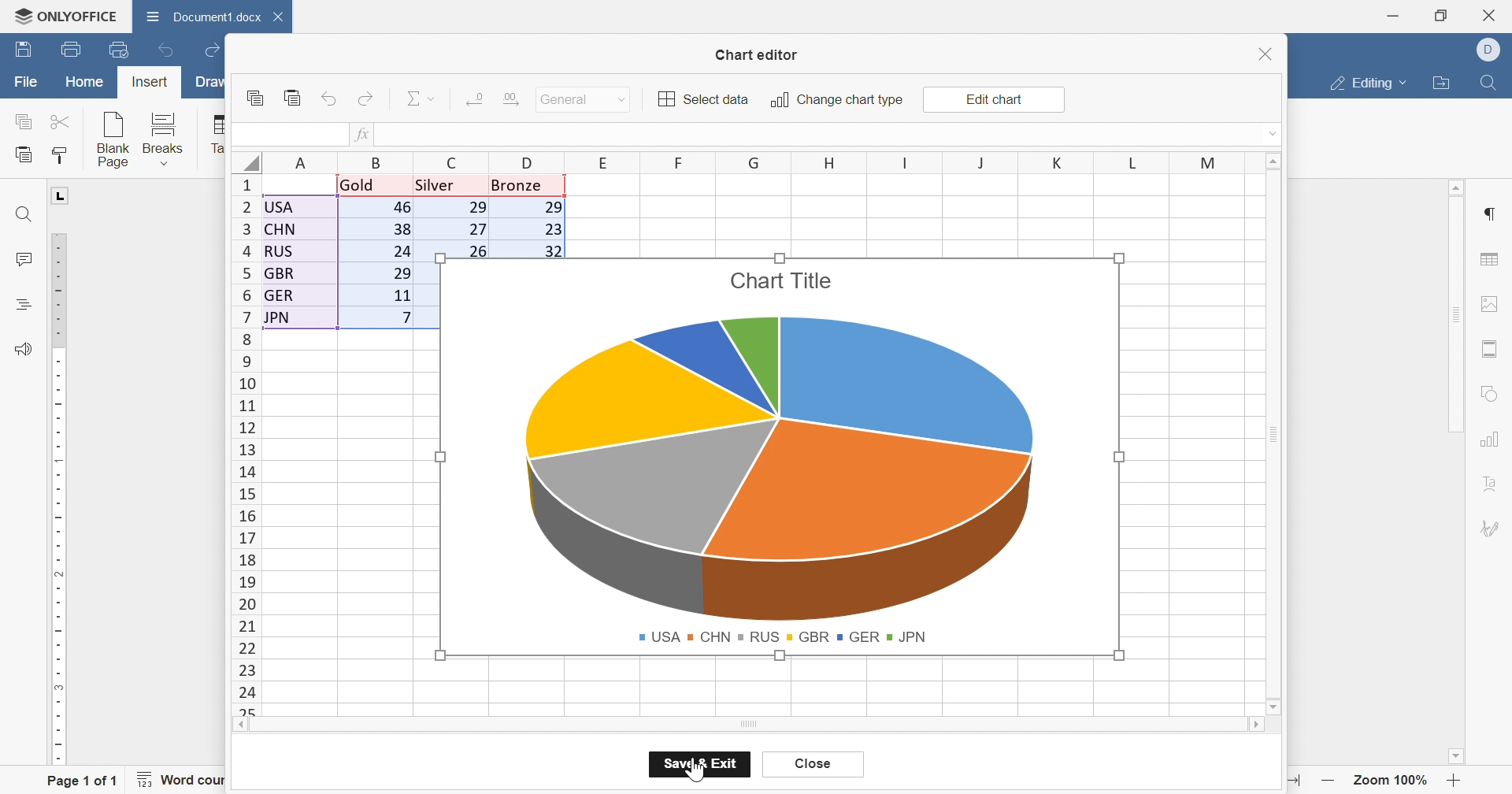 The width and height of the screenshot is (1512, 794). I want to click on 24, so click(401, 253).